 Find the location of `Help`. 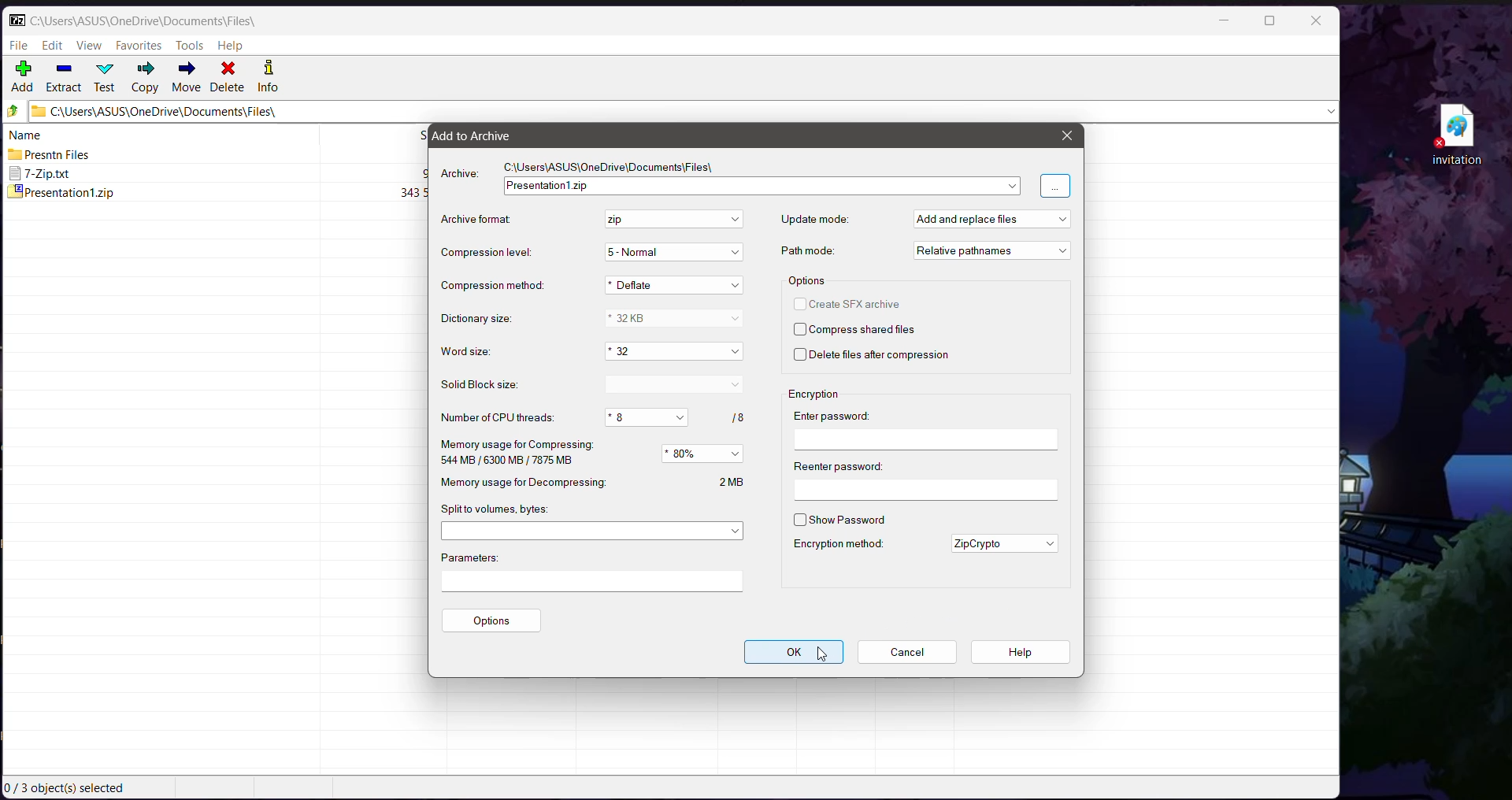

Help is located at coordinates (232, 46).